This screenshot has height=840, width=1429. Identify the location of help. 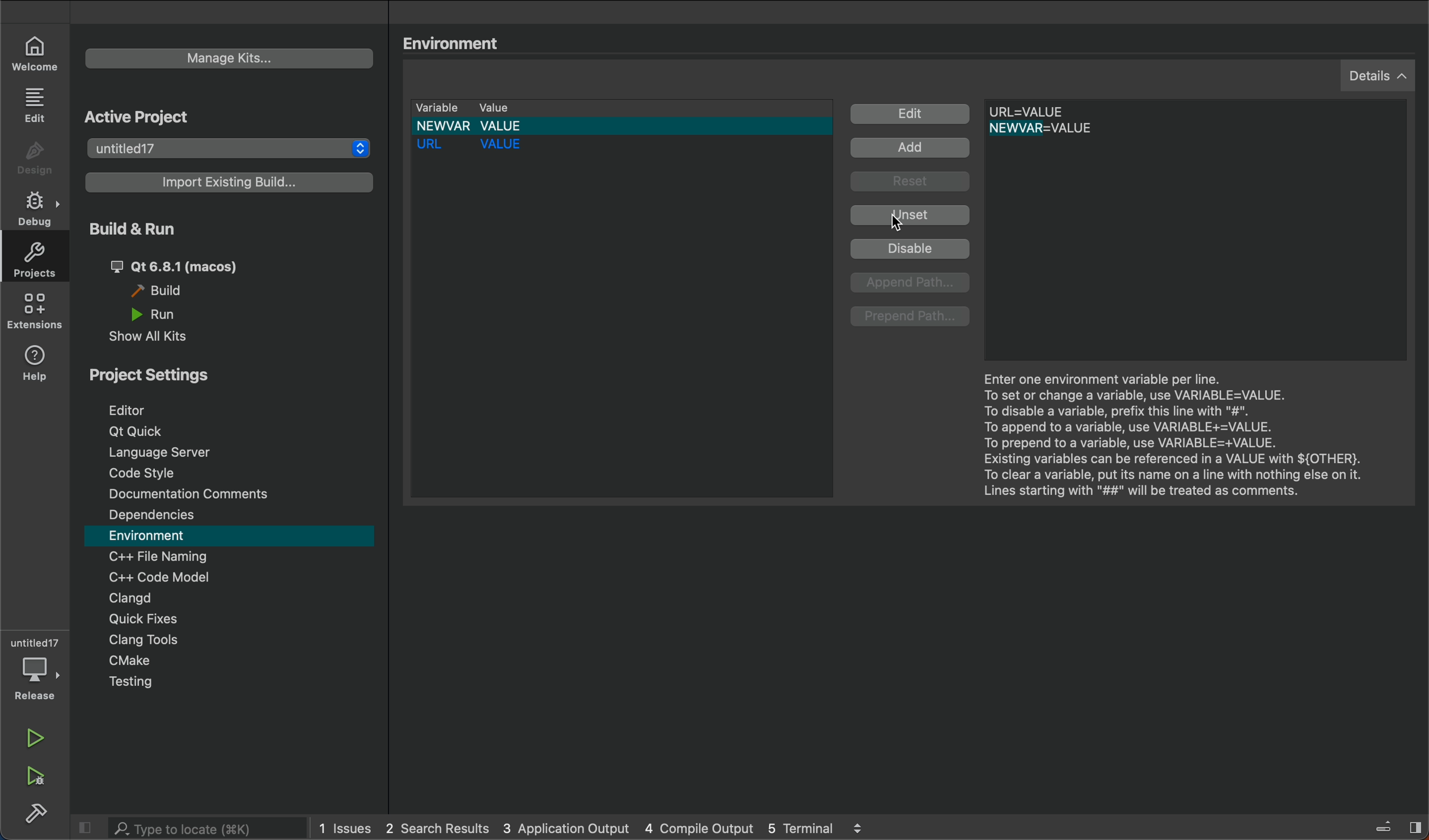
(33, 367).